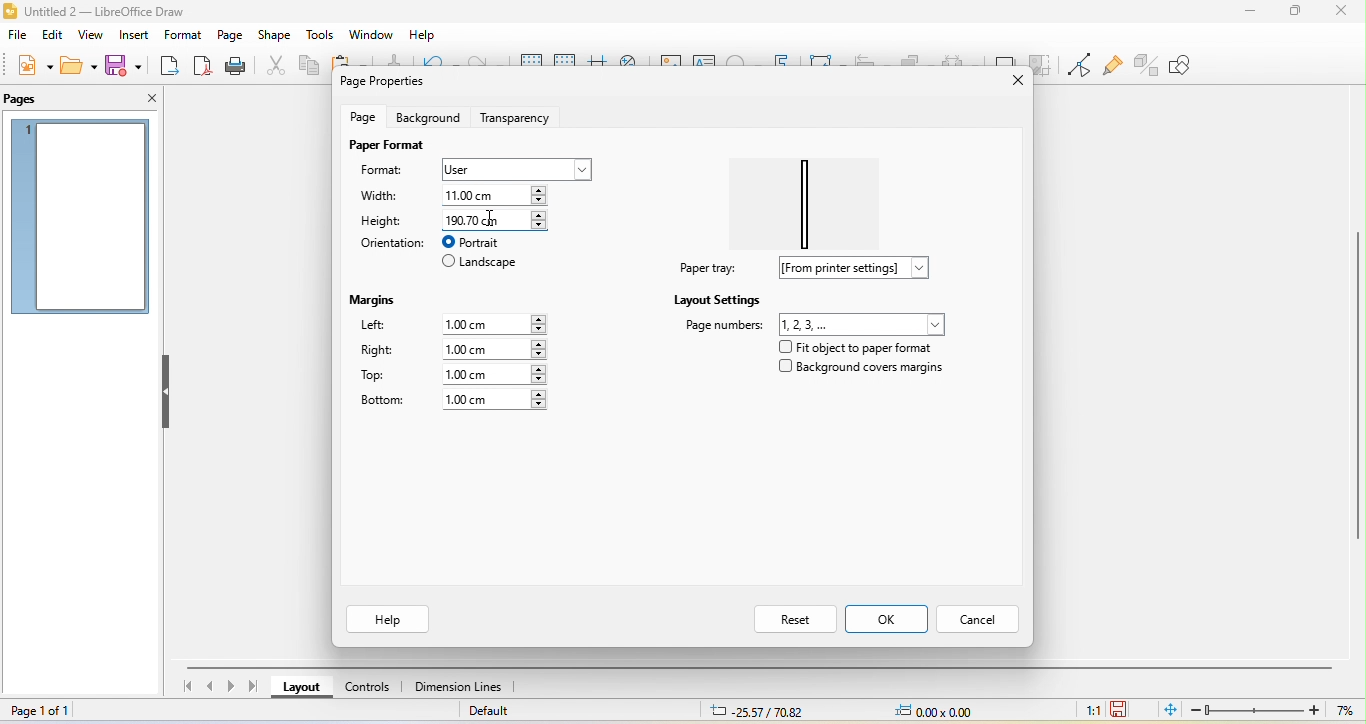  I want to click on maximize, so click(1294, 12).